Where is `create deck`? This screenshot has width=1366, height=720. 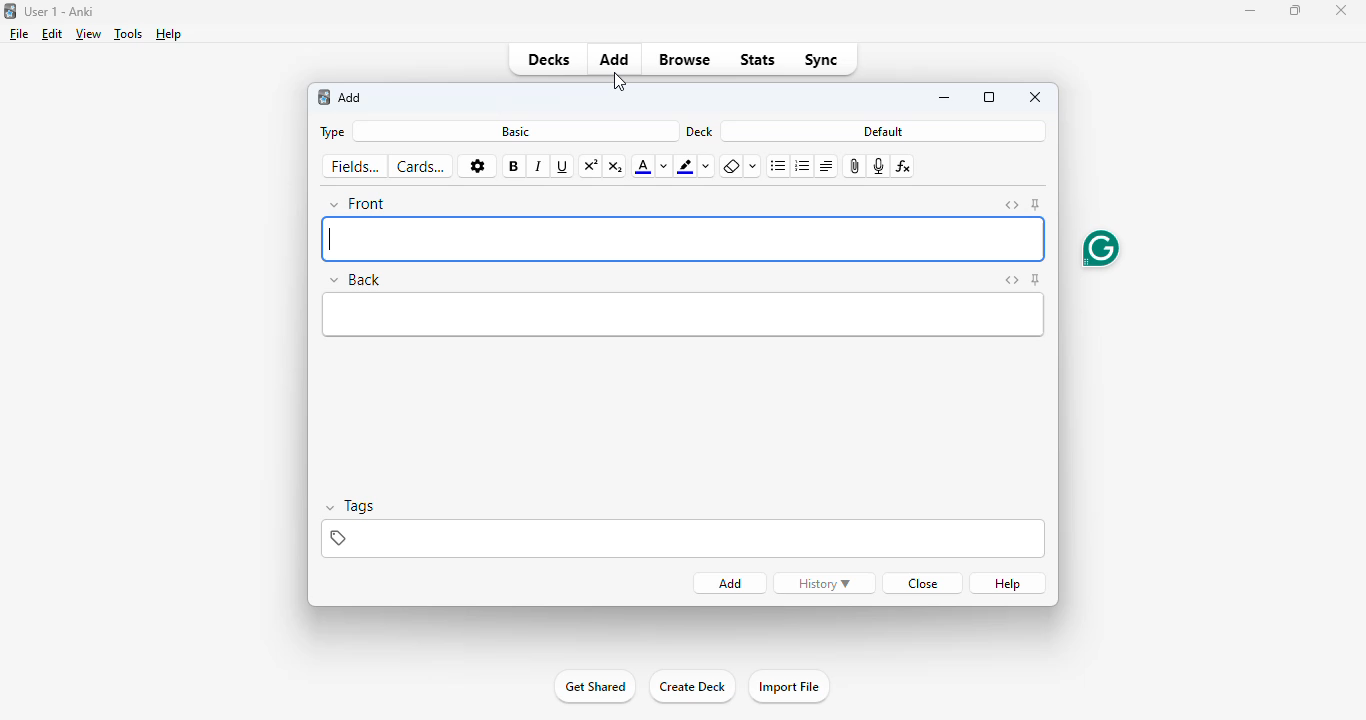 create deck is located at coordinates (692, 687).